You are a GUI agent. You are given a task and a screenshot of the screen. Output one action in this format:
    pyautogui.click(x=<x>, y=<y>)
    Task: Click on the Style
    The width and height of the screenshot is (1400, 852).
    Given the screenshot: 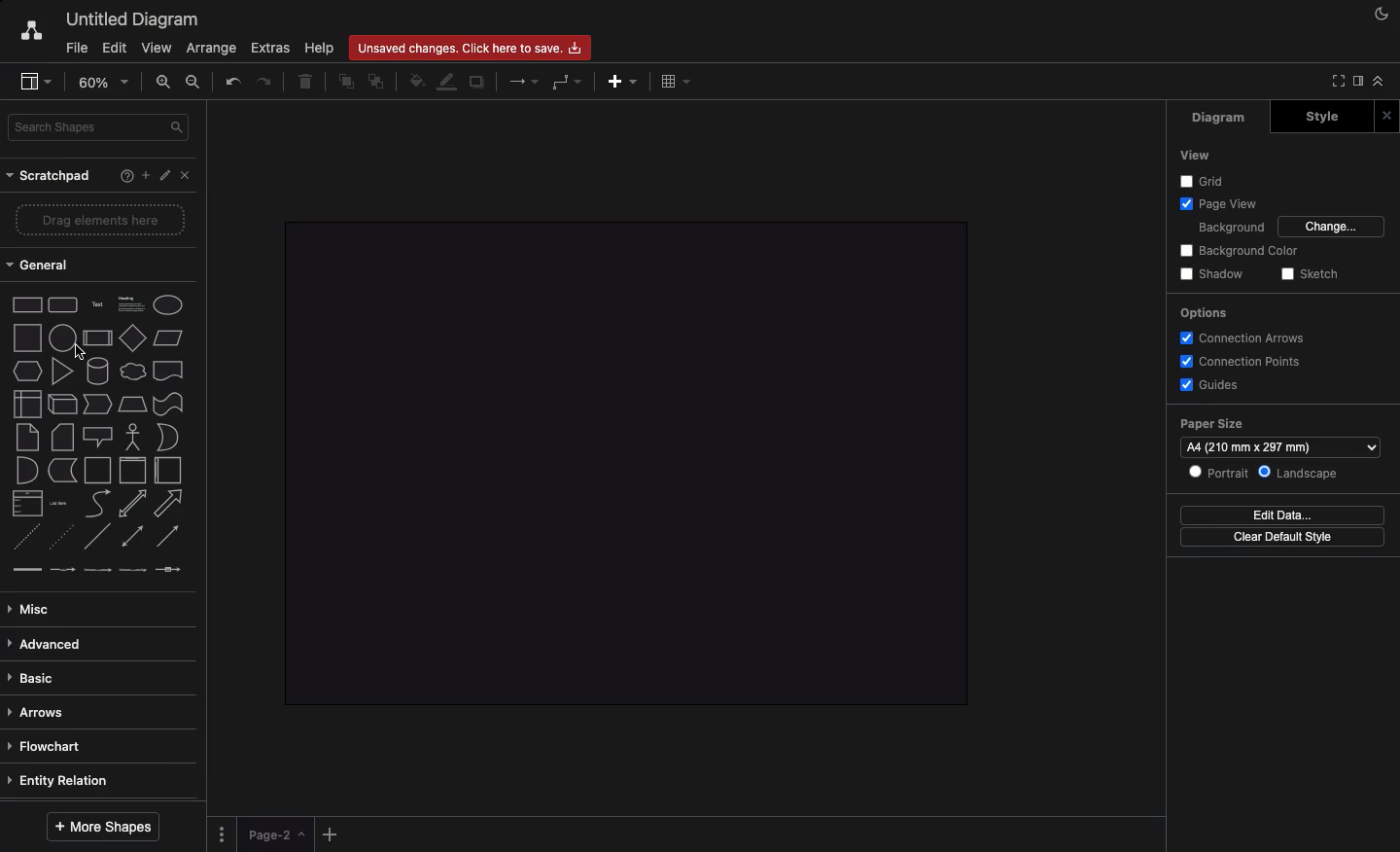 What is the action you would take?
    pyautogui.click(x=1324, y=117)
    